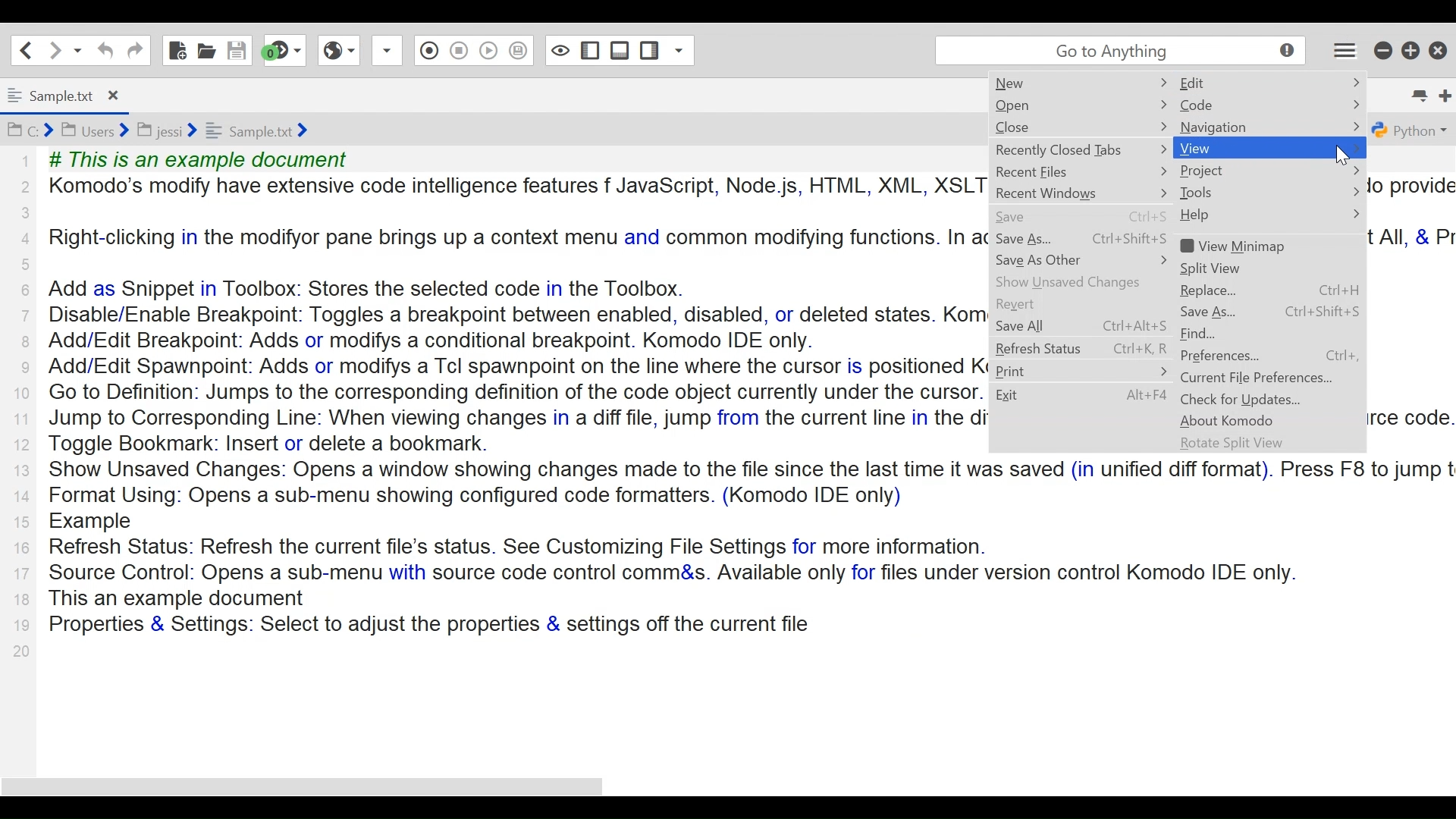 The height and width of the screenshot is (819, 1456). What do you see at coordinates (588, 50) in the screenshot?
I see `Show/Hide bottom Pane` at bounding box center [588, 50].